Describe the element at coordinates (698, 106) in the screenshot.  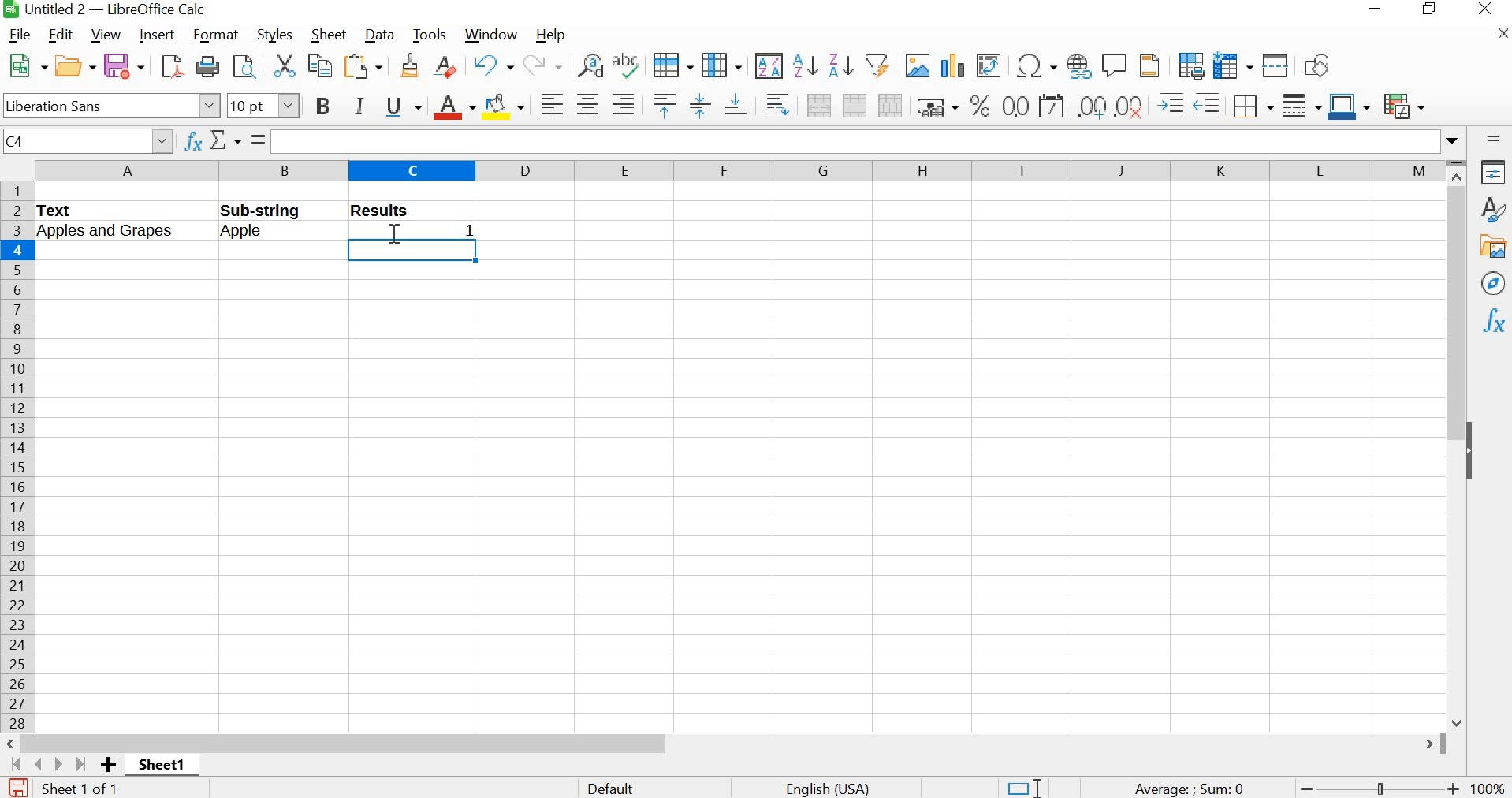
I see `center vertically` at that location.